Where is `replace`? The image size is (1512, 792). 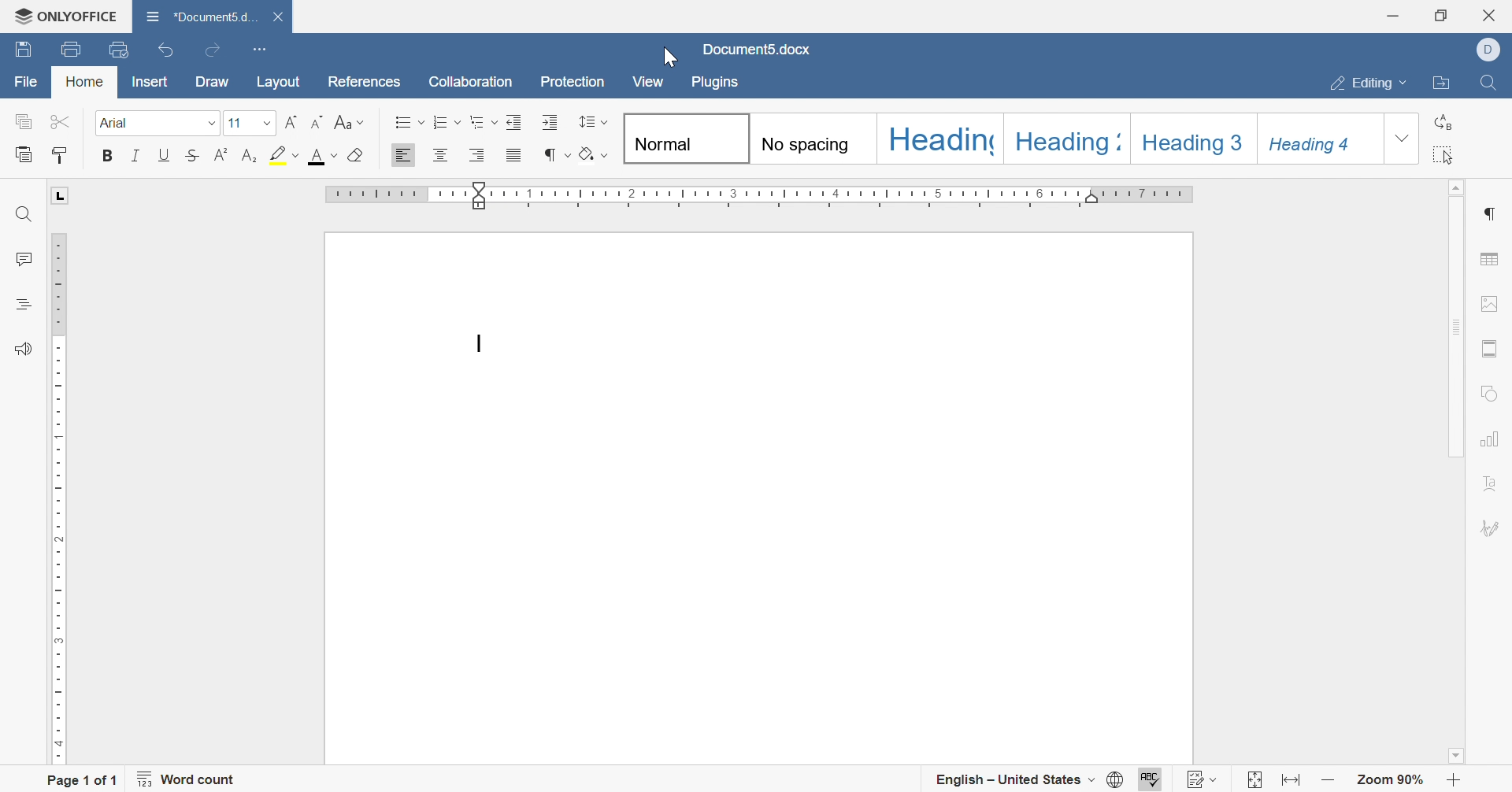 replace is located at coordinates (1448, 119).